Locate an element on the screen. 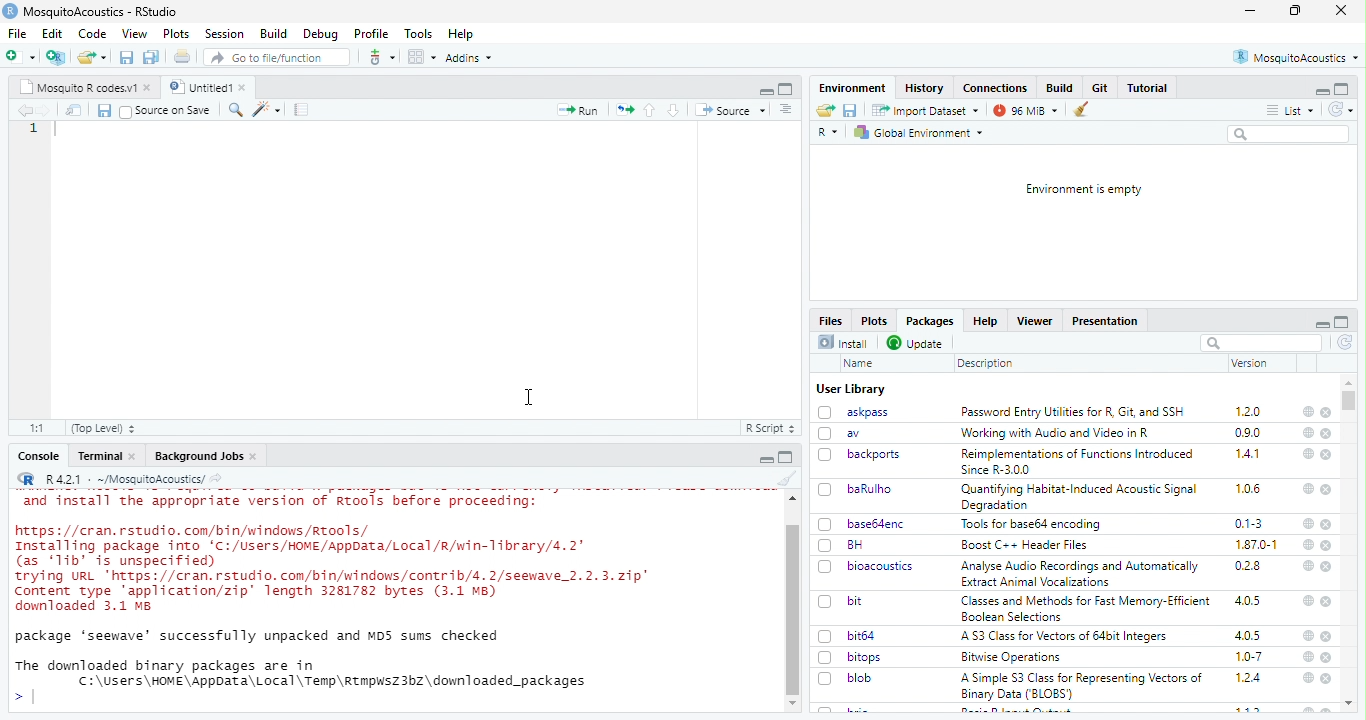 This screenshot has width=1366, height=720. 01-3 is located at coordinates (1249, 523).